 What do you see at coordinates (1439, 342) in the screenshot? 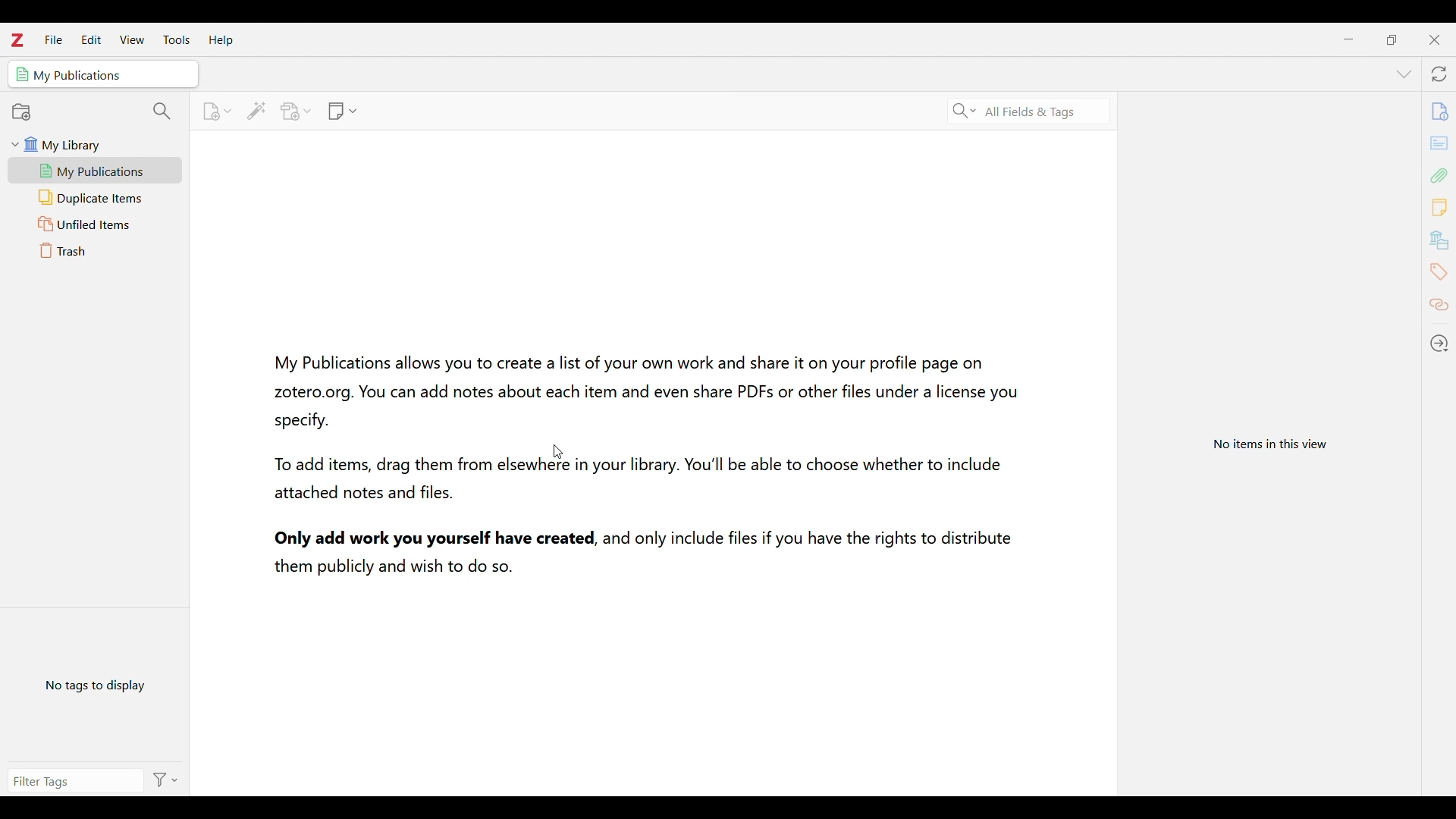
I see `Locate` at bounding box center [1439, 342].